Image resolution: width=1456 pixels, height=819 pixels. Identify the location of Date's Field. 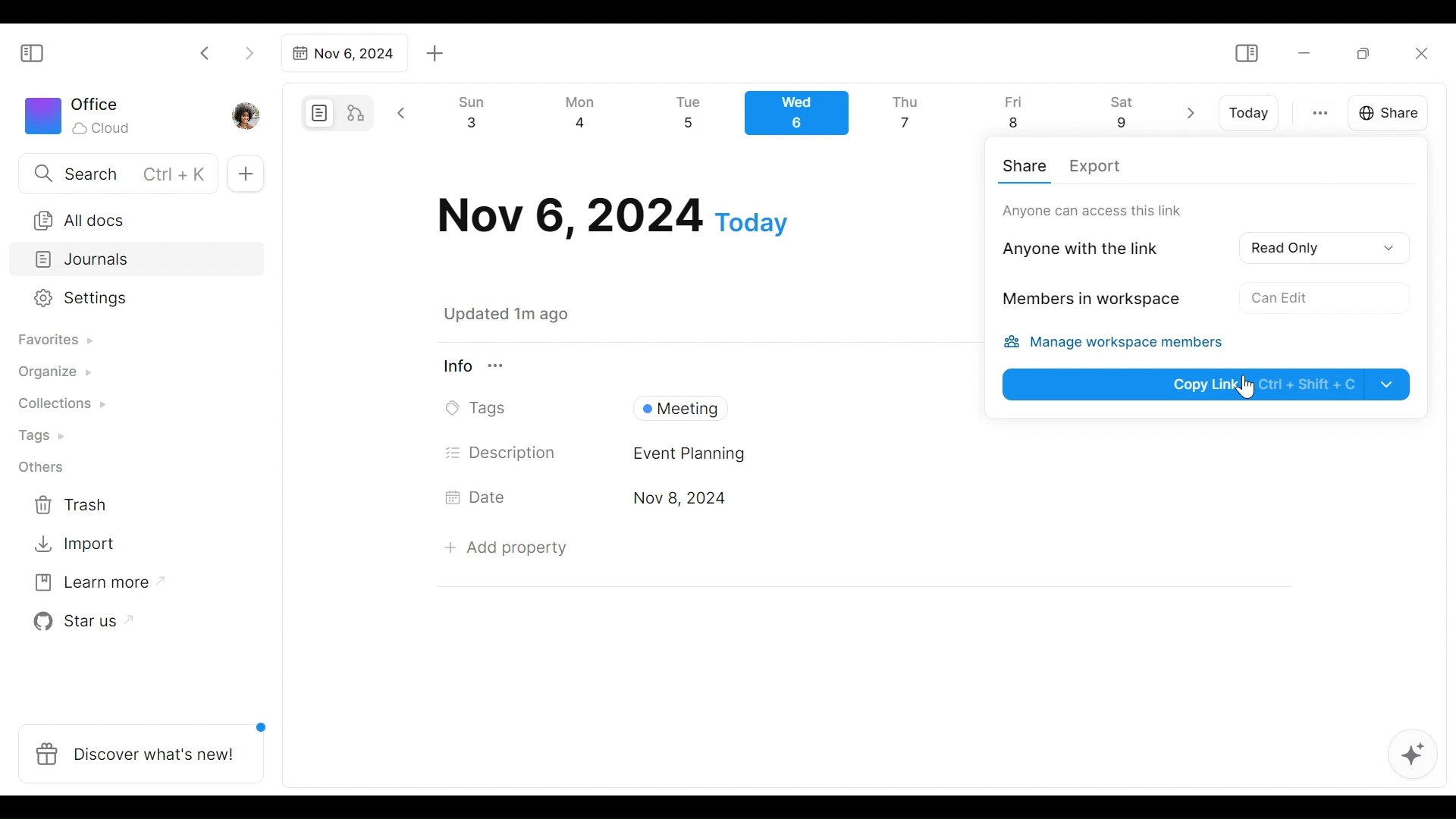
(954, 500).